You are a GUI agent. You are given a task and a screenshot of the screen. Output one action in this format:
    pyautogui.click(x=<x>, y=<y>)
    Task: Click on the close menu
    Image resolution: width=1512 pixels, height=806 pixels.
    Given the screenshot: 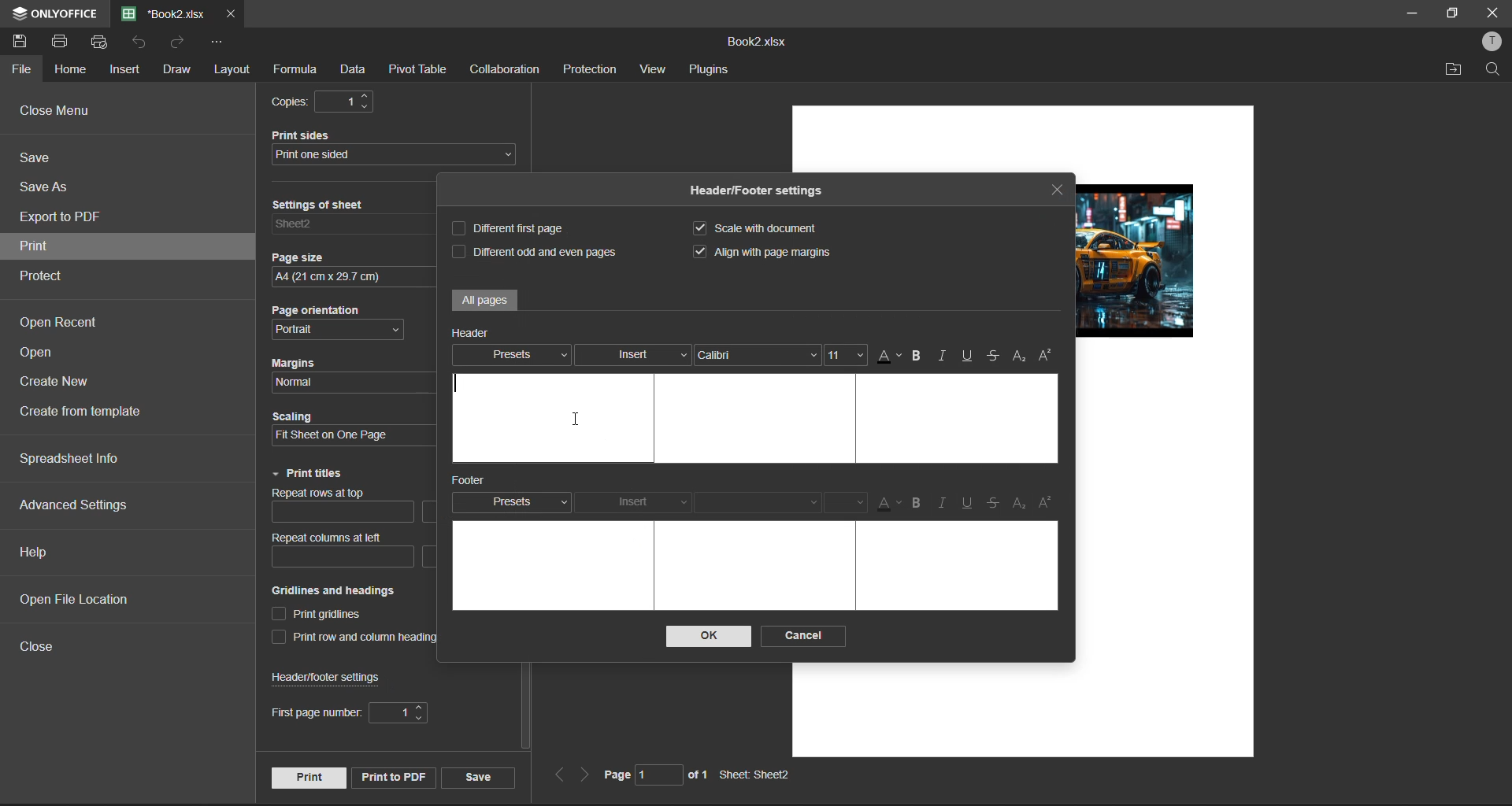 What is the action you would take?
    pyautogui.click(x=57, y=110)
    